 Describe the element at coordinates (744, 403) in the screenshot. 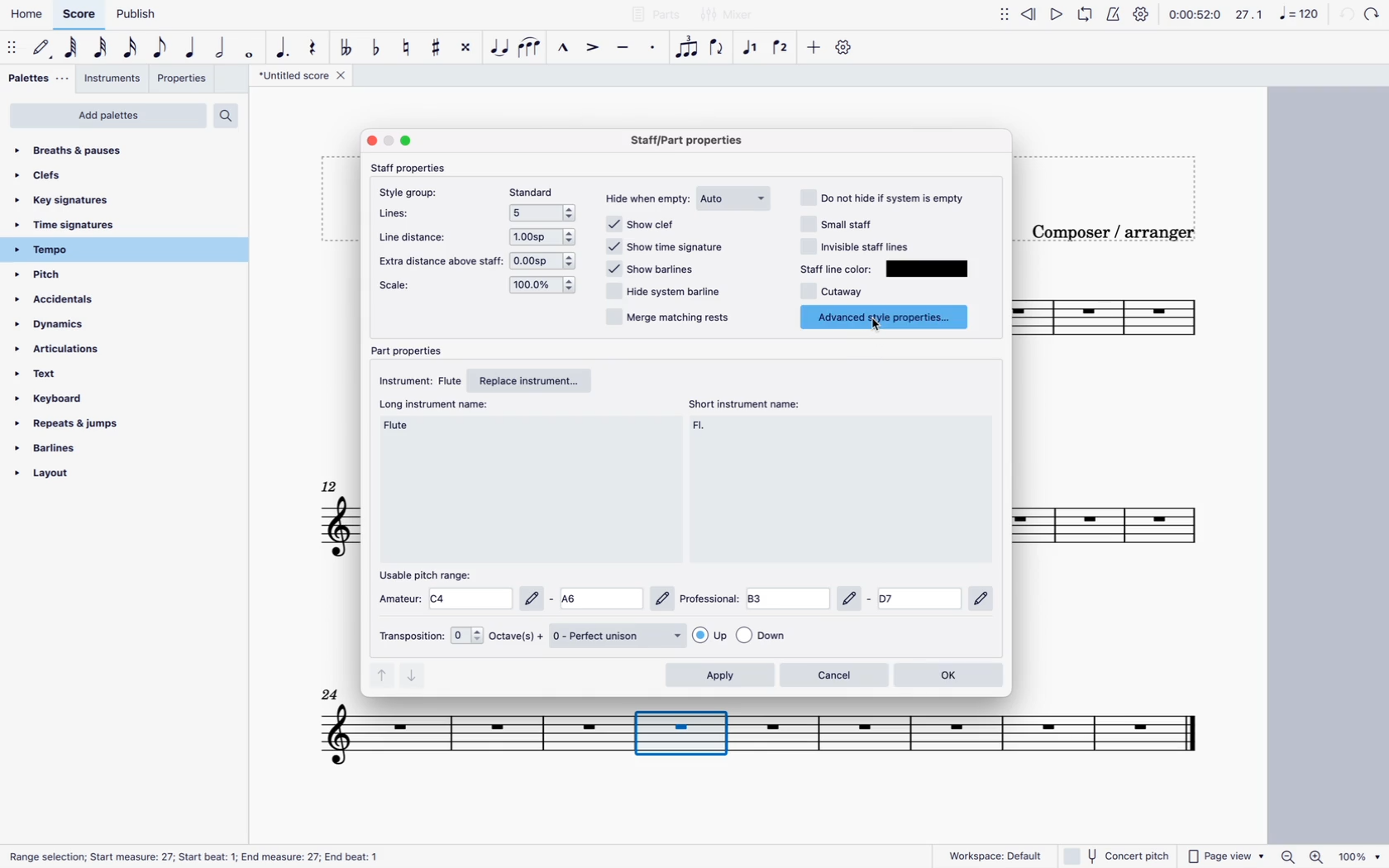

I see `short instrument name` at that location.